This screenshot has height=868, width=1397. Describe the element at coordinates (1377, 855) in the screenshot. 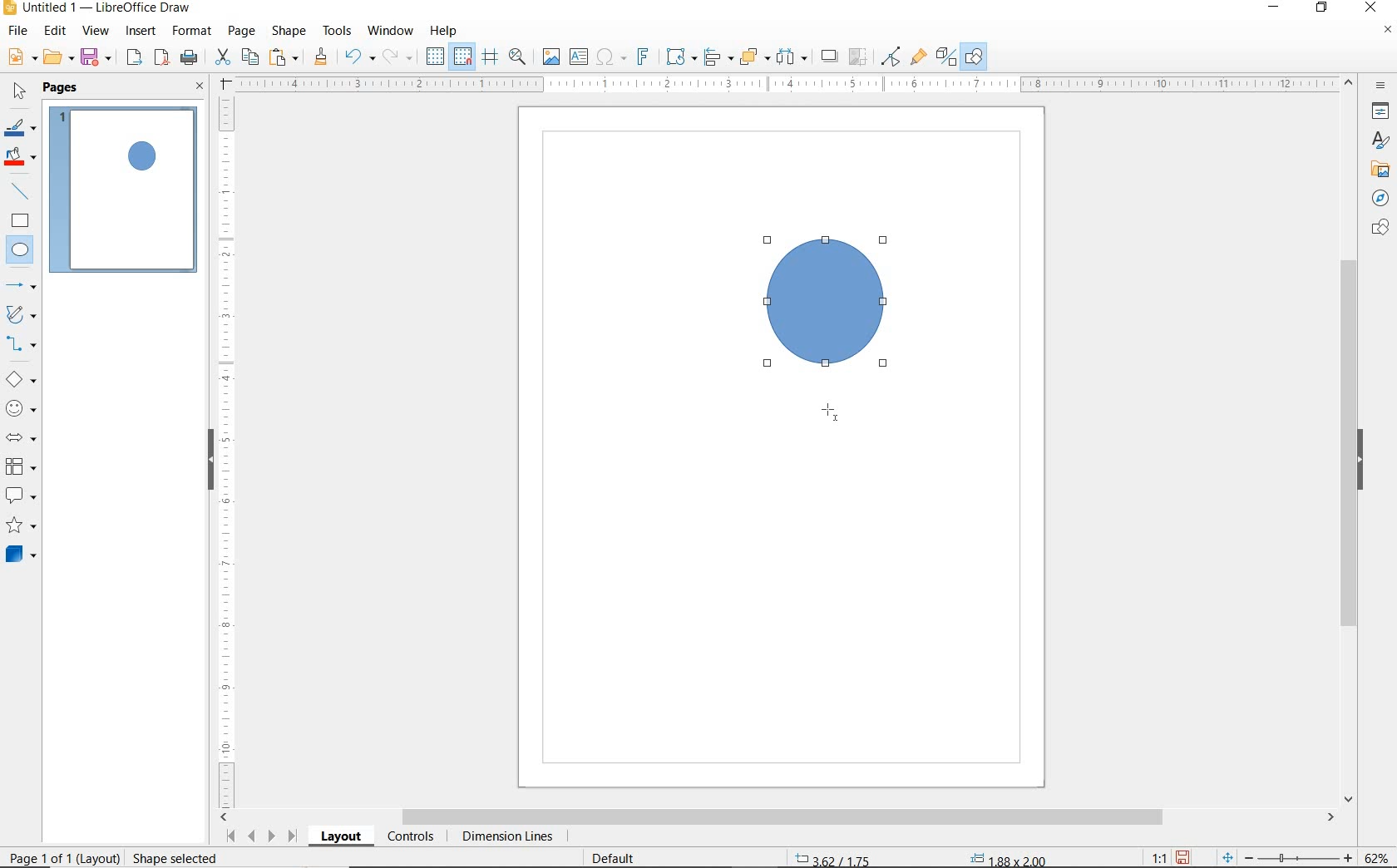

I see `ZOOM FACTOR` at that location.